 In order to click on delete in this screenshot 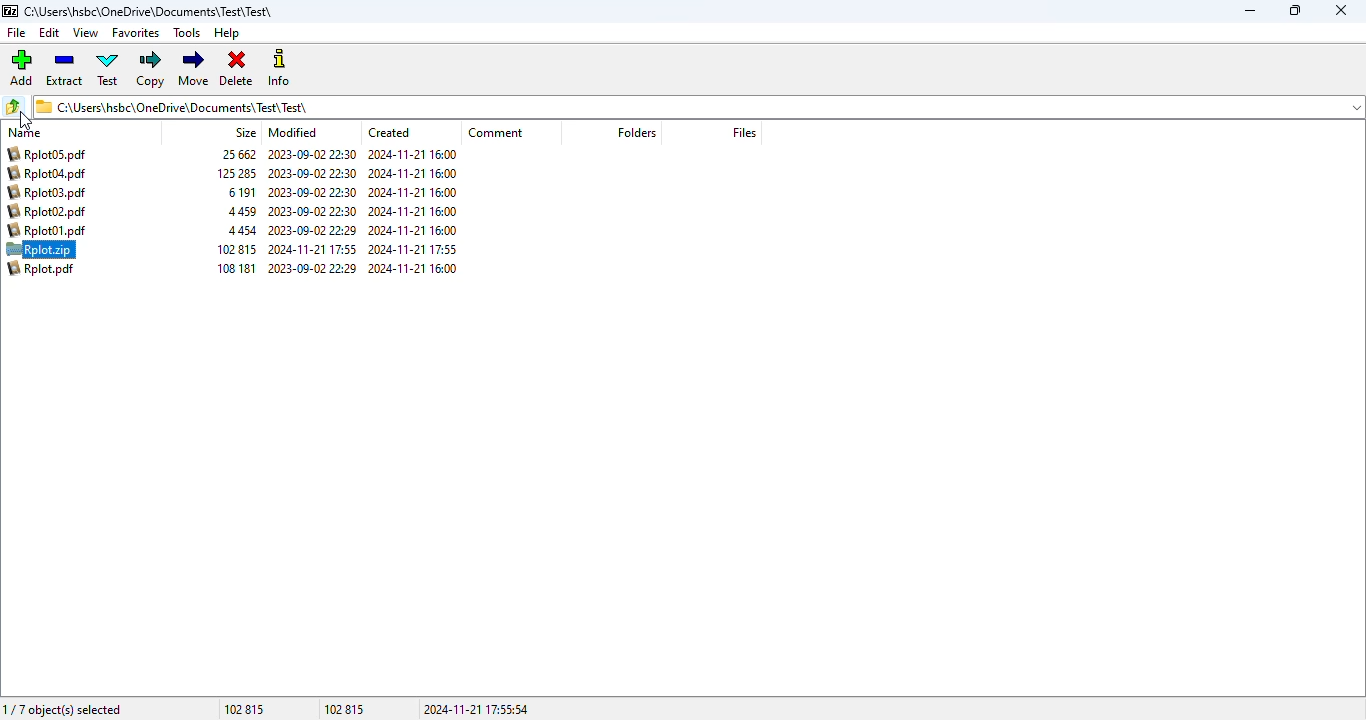, I will do `click(236, 67)`.